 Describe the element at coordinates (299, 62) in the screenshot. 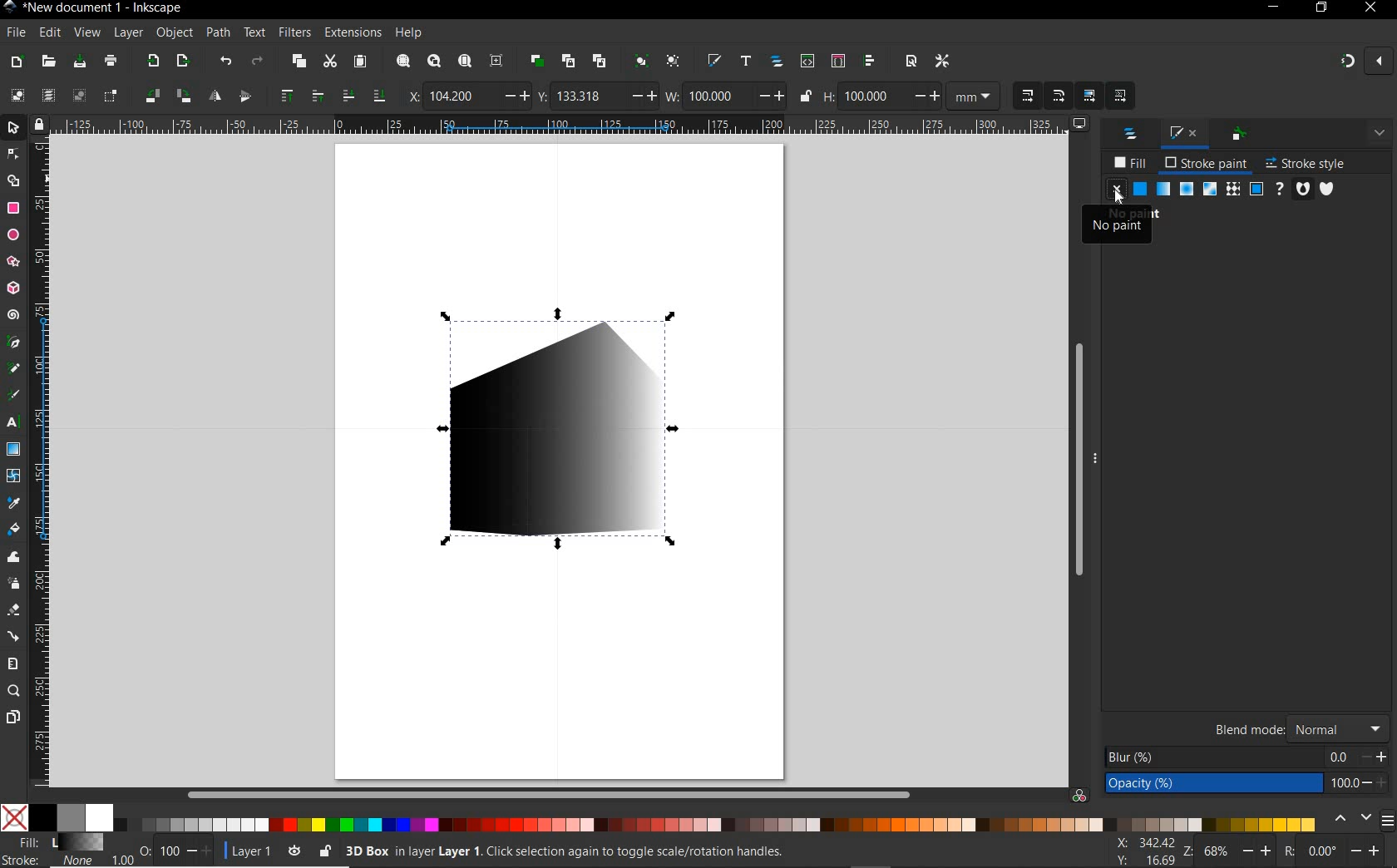

I see `COPY` at that location.